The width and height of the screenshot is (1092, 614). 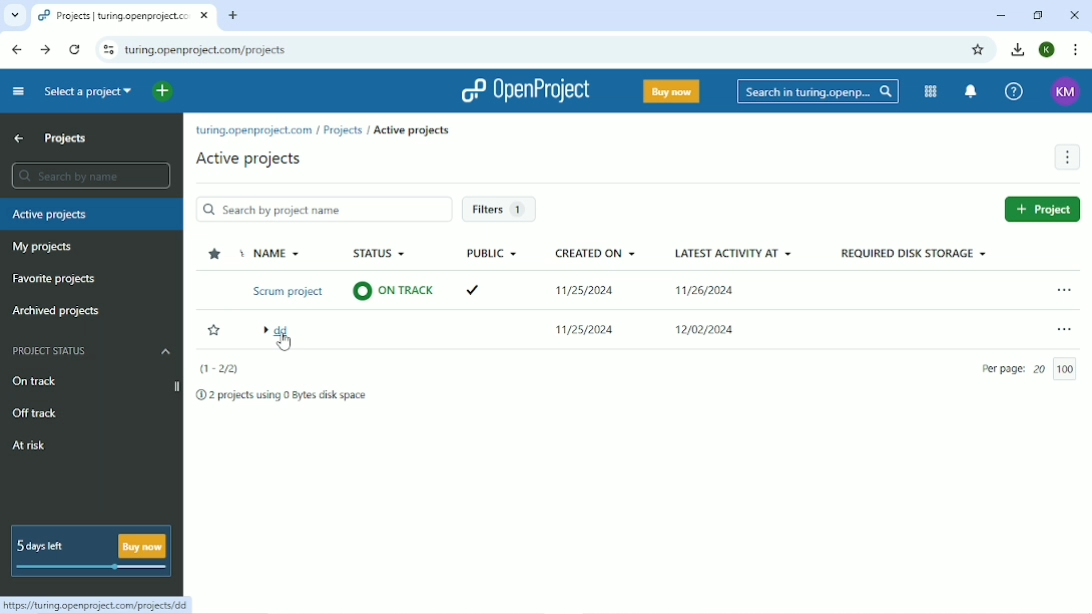 I want to click on Filters, so click(x=501, y=209).